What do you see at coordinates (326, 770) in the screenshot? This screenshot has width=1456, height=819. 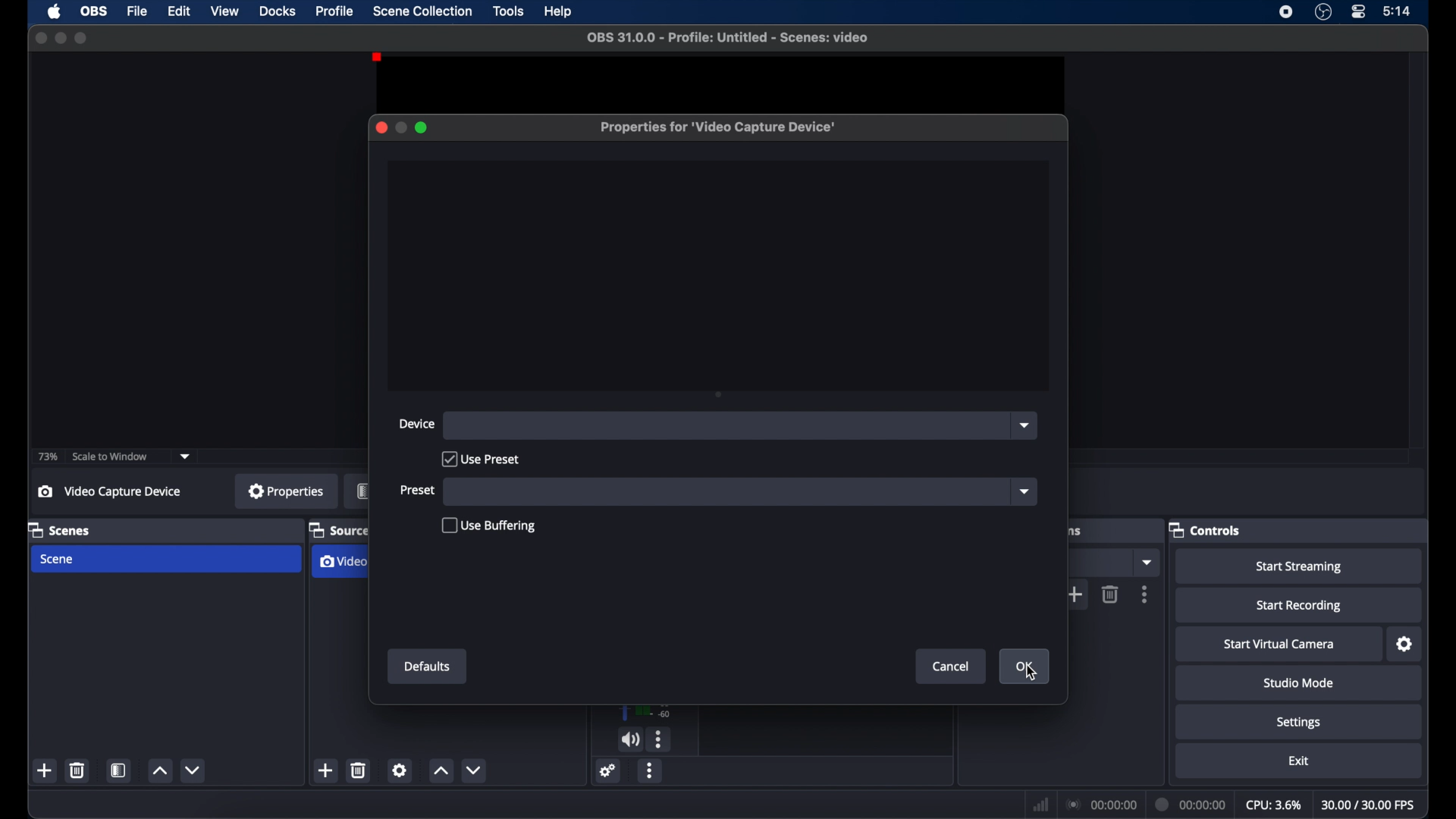 I see `add` at bounding box center [326, 770].